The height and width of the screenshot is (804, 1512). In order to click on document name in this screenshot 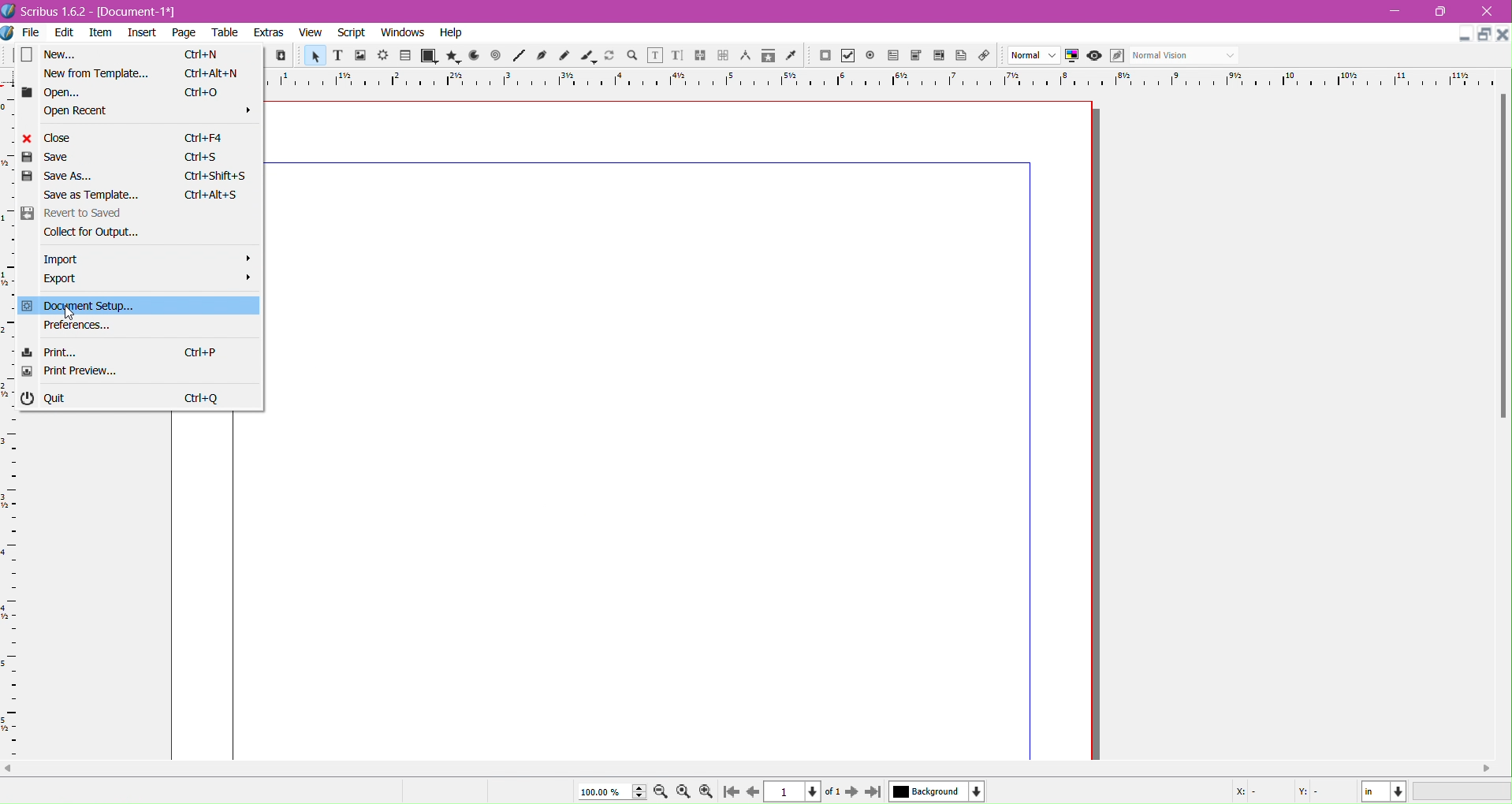, I will do `click(140, 13)`.